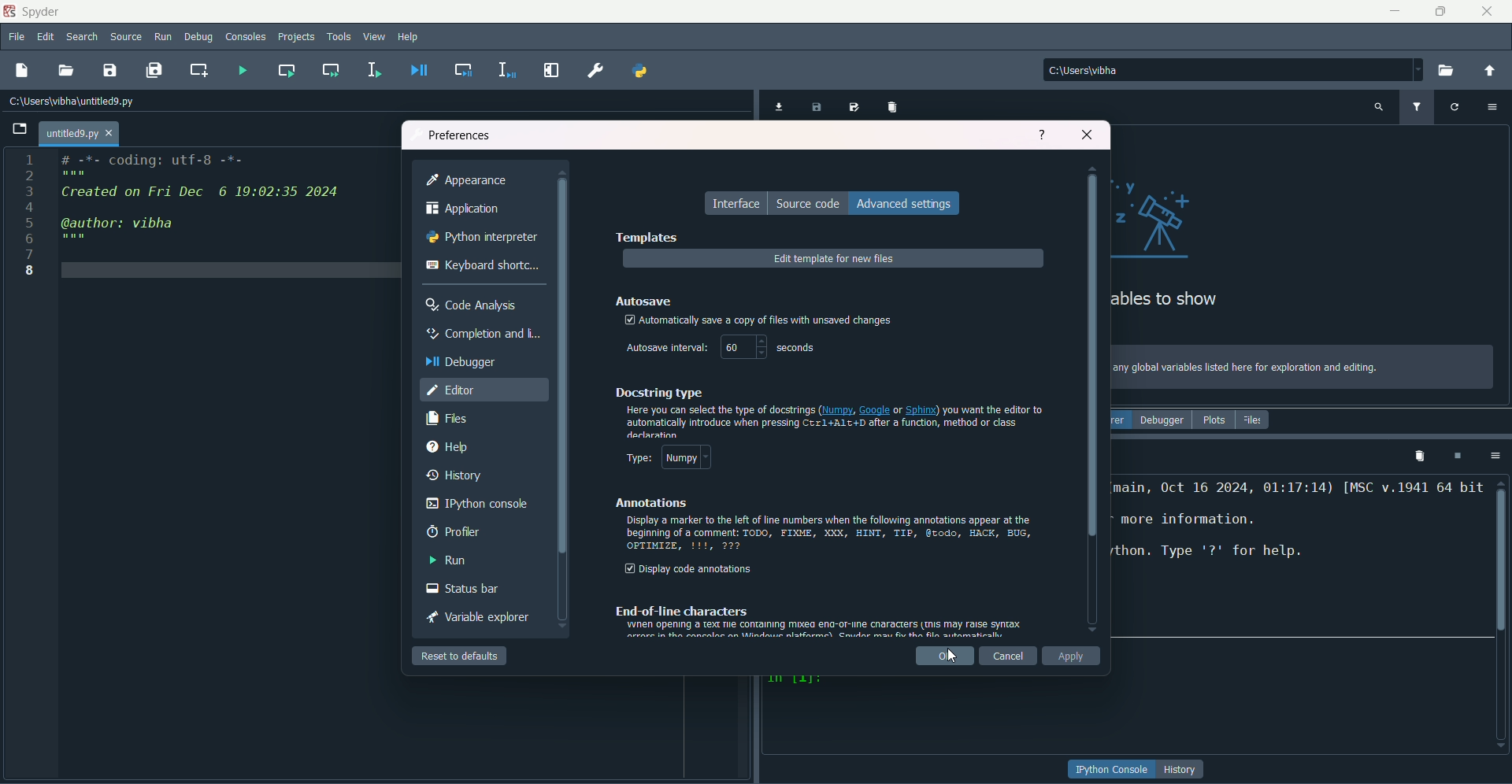 The height and width of the screenshot is (784, 1512). I want to click on files, so click(447, 420).